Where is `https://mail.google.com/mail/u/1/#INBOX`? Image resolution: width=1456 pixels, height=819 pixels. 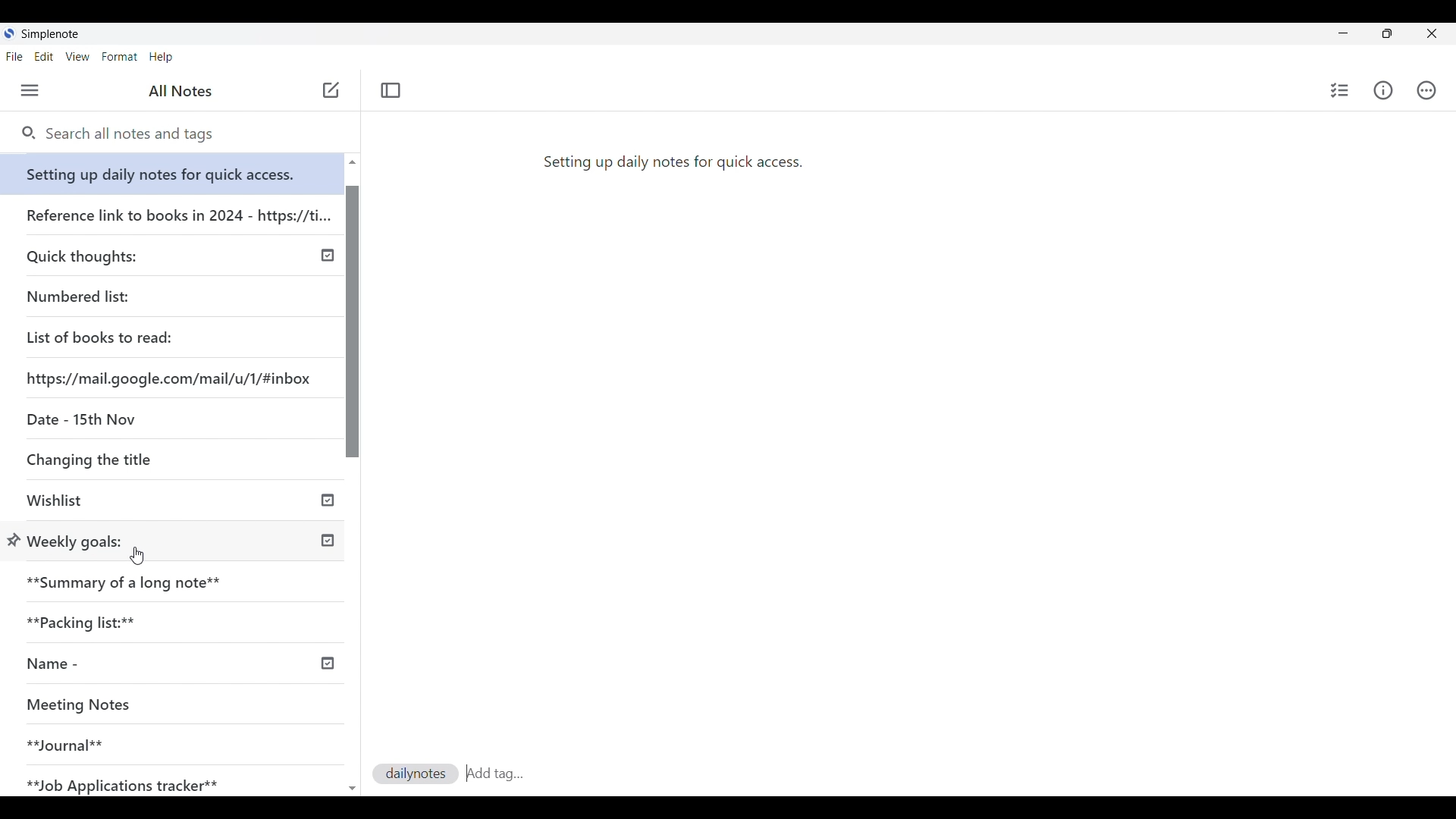
https://mail.google.com/mail/u/1/#INBOX is located at coordinates (171, 375).